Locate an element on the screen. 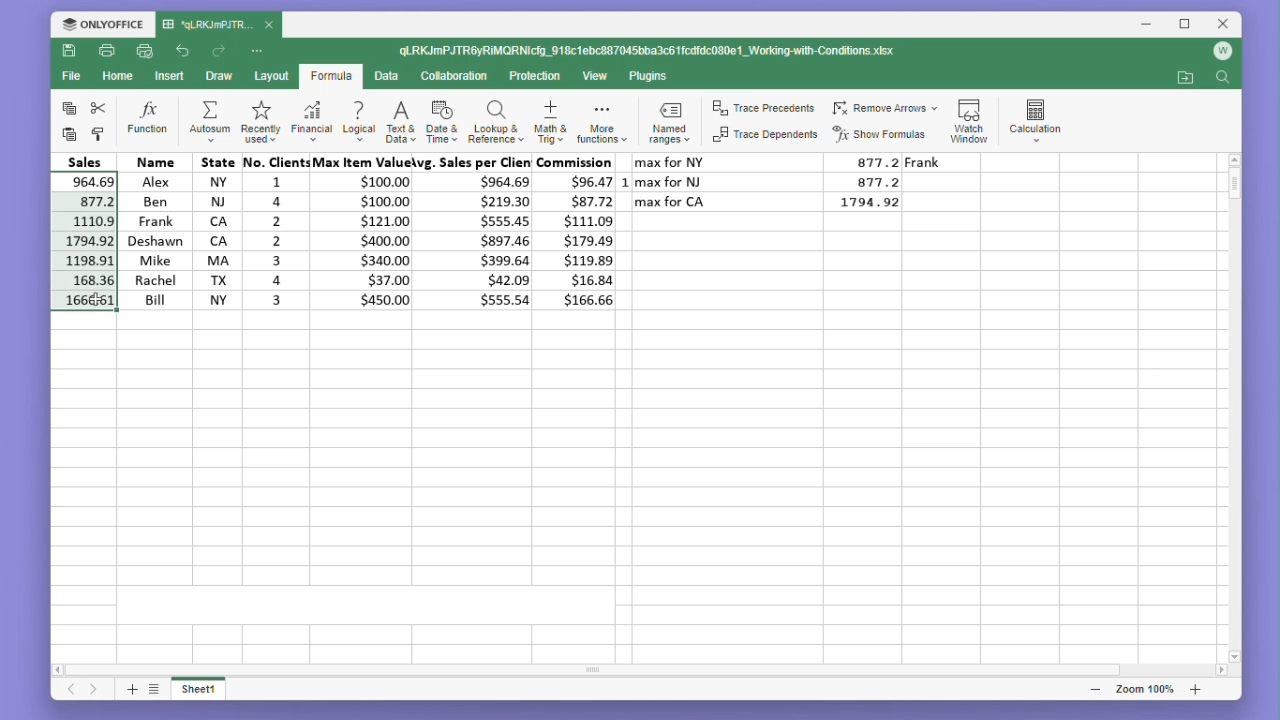 The width and height of the screenshot is (1280, 720). scroll left is located at coordinates (61, 672).